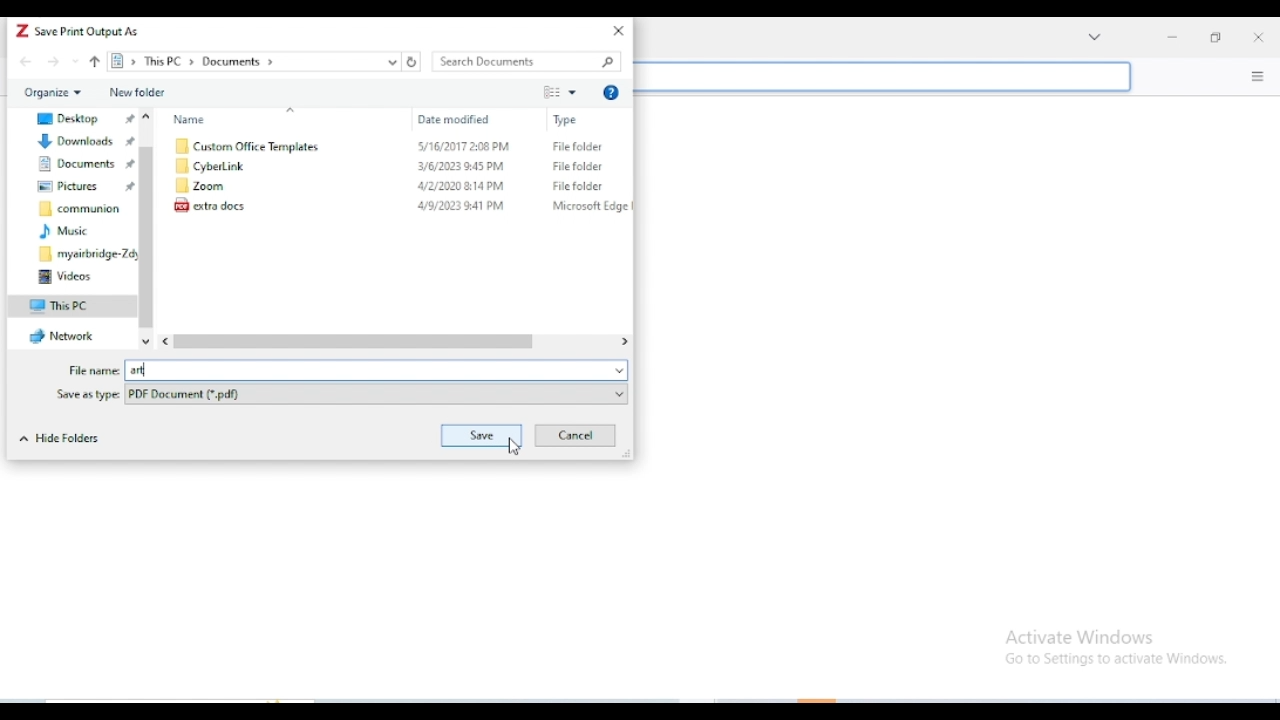  I want to click on network, so click(65, 336).